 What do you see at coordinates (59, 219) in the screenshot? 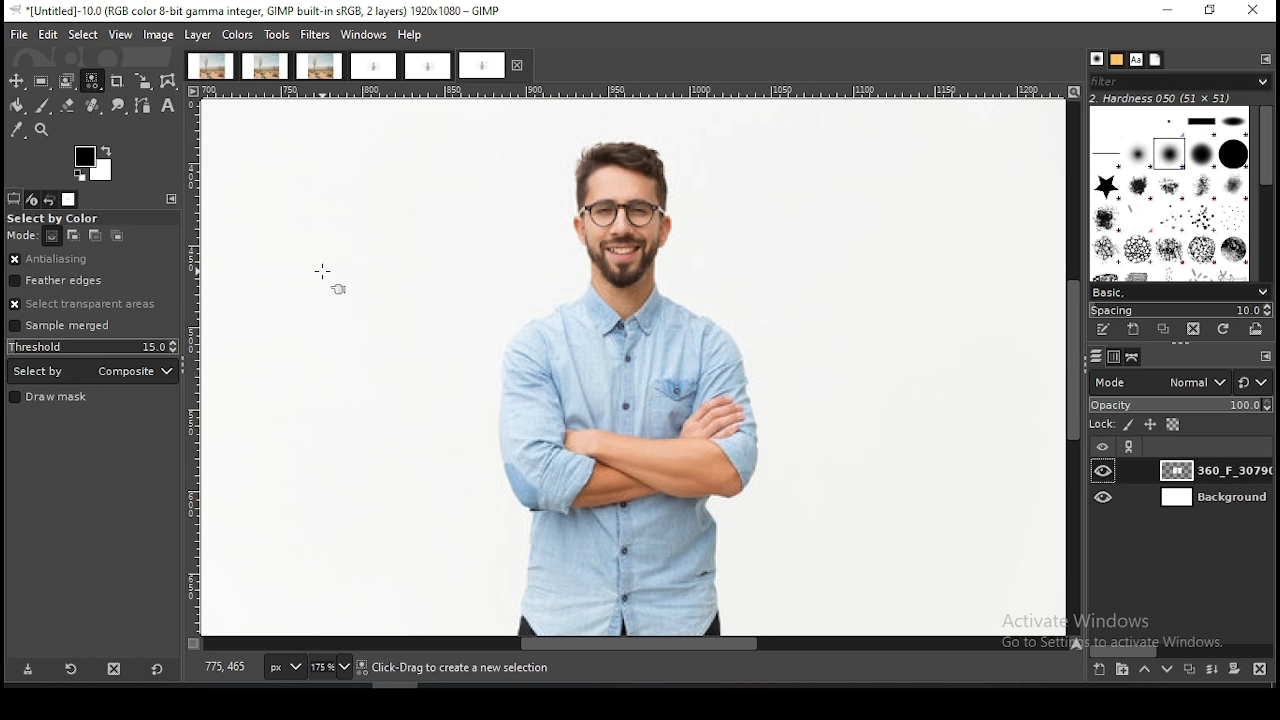
I see `select by color` at bounding box center [59, 219].